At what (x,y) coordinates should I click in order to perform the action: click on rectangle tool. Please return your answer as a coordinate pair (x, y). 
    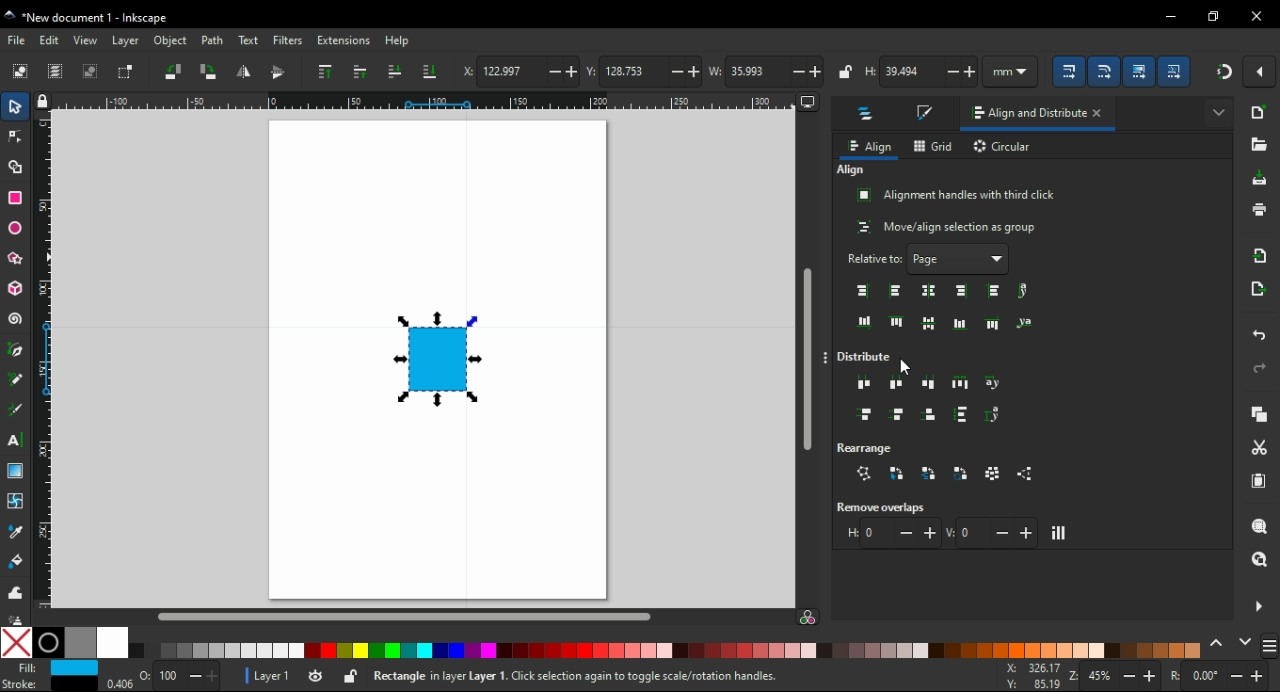
    Looking at the image, I should click on (15, 196).